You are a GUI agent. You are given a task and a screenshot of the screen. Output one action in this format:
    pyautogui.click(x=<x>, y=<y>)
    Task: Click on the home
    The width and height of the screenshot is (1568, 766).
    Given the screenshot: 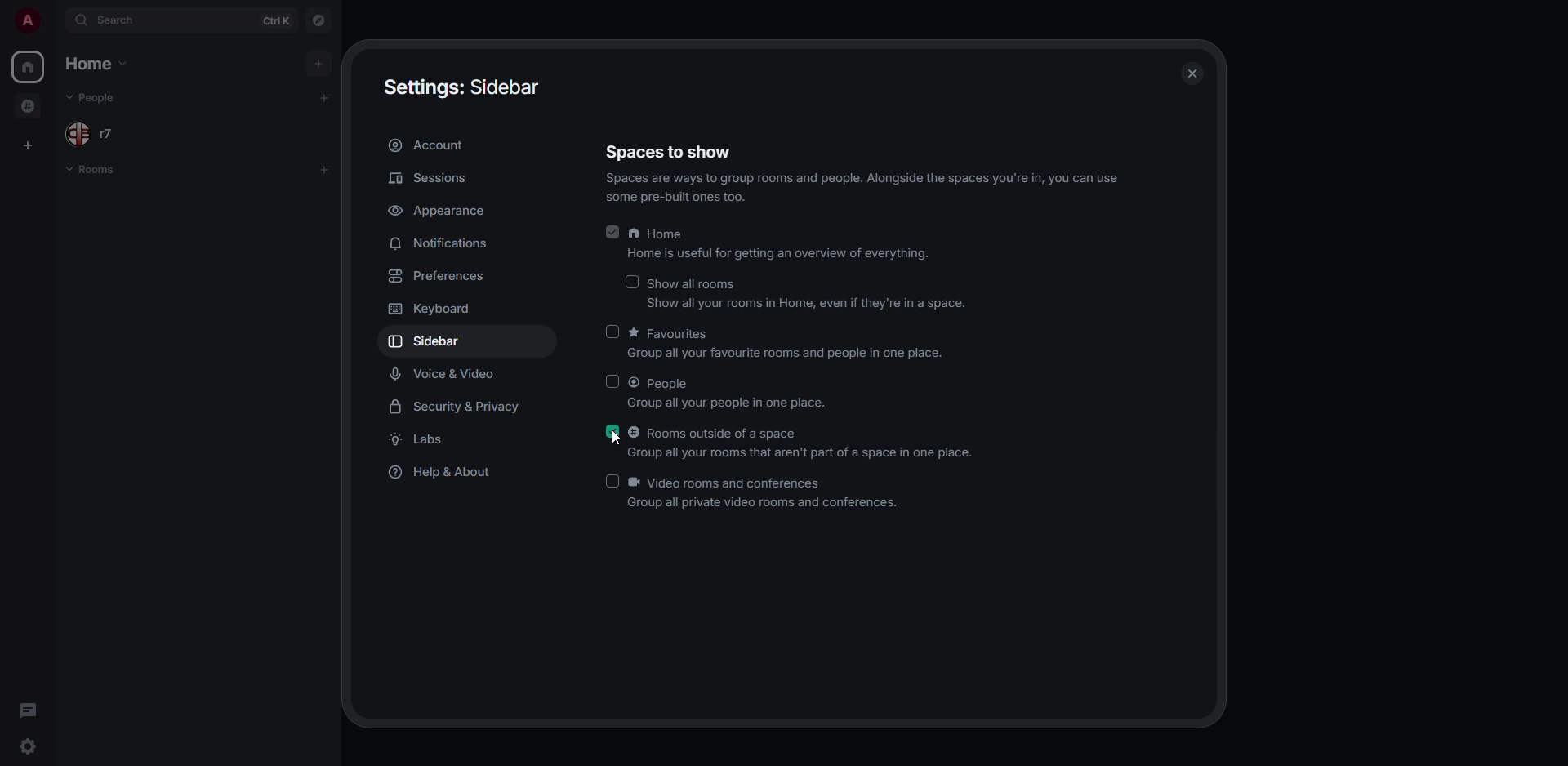 What is the action you would take?
    pyautogui.click(x=93, y=64)
    